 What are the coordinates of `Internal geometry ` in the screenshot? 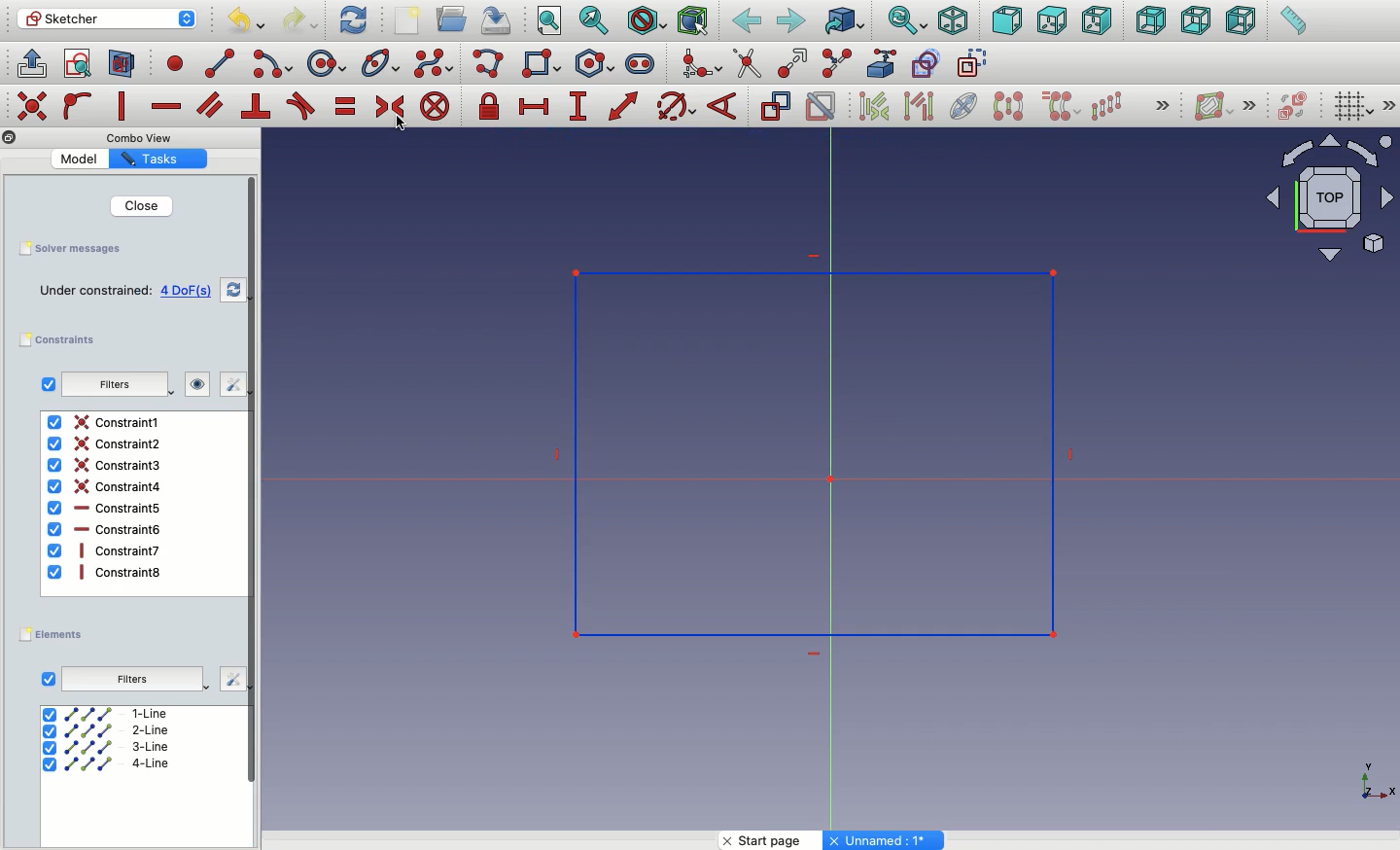 It's located at (964, 104).